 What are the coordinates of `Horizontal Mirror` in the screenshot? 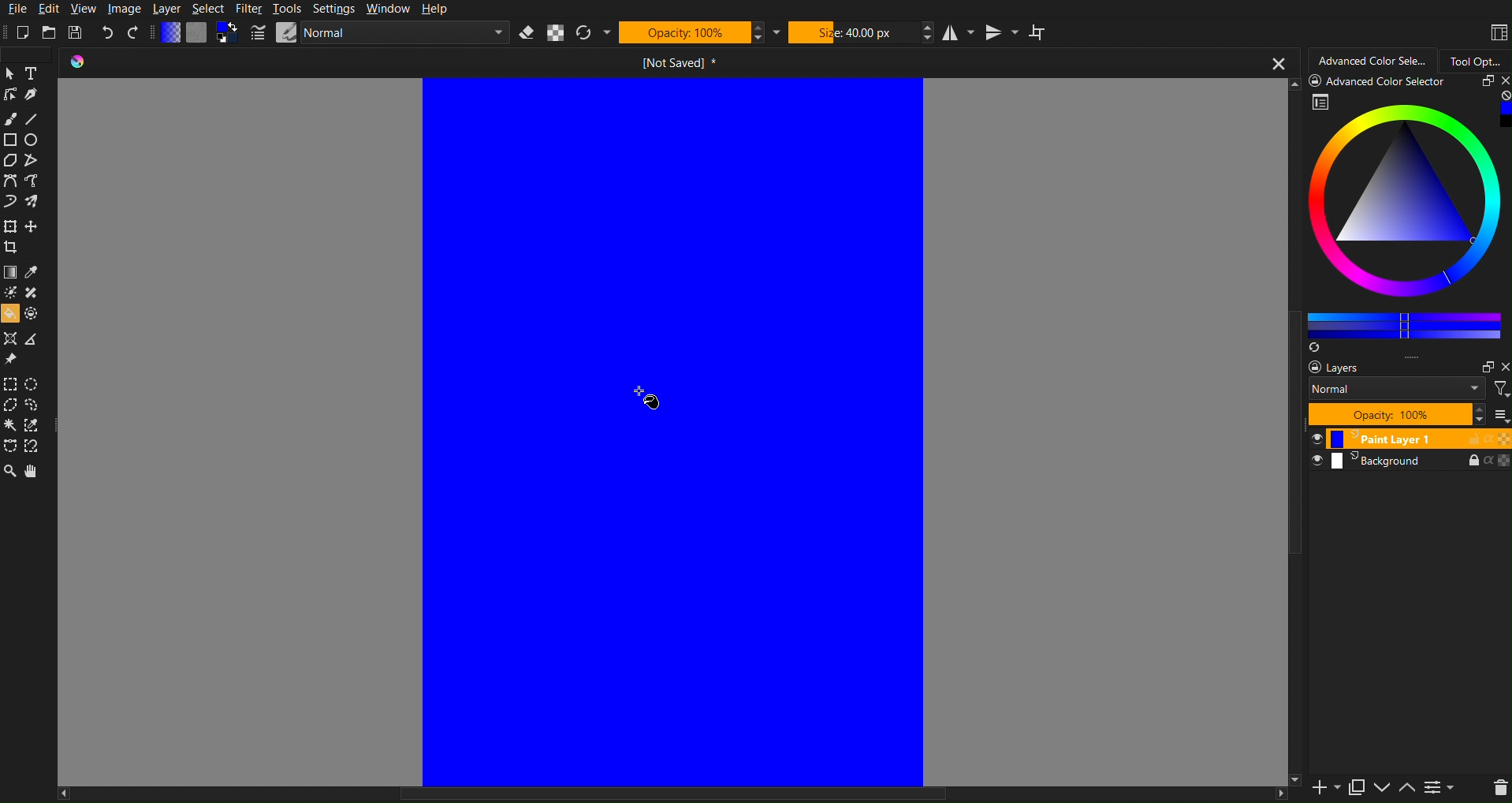 It's located at (959, 31).